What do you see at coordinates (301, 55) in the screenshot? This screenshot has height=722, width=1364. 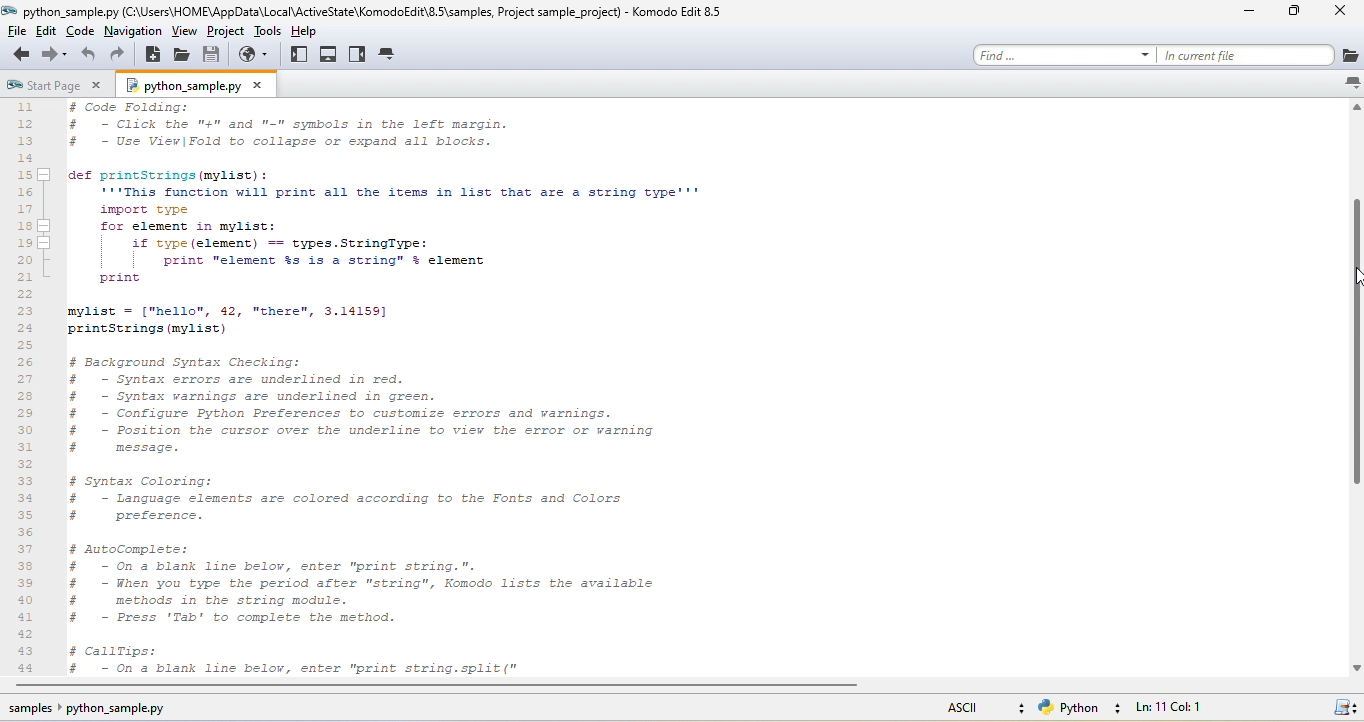 I see `left pane` at bounding box center [301, 55].